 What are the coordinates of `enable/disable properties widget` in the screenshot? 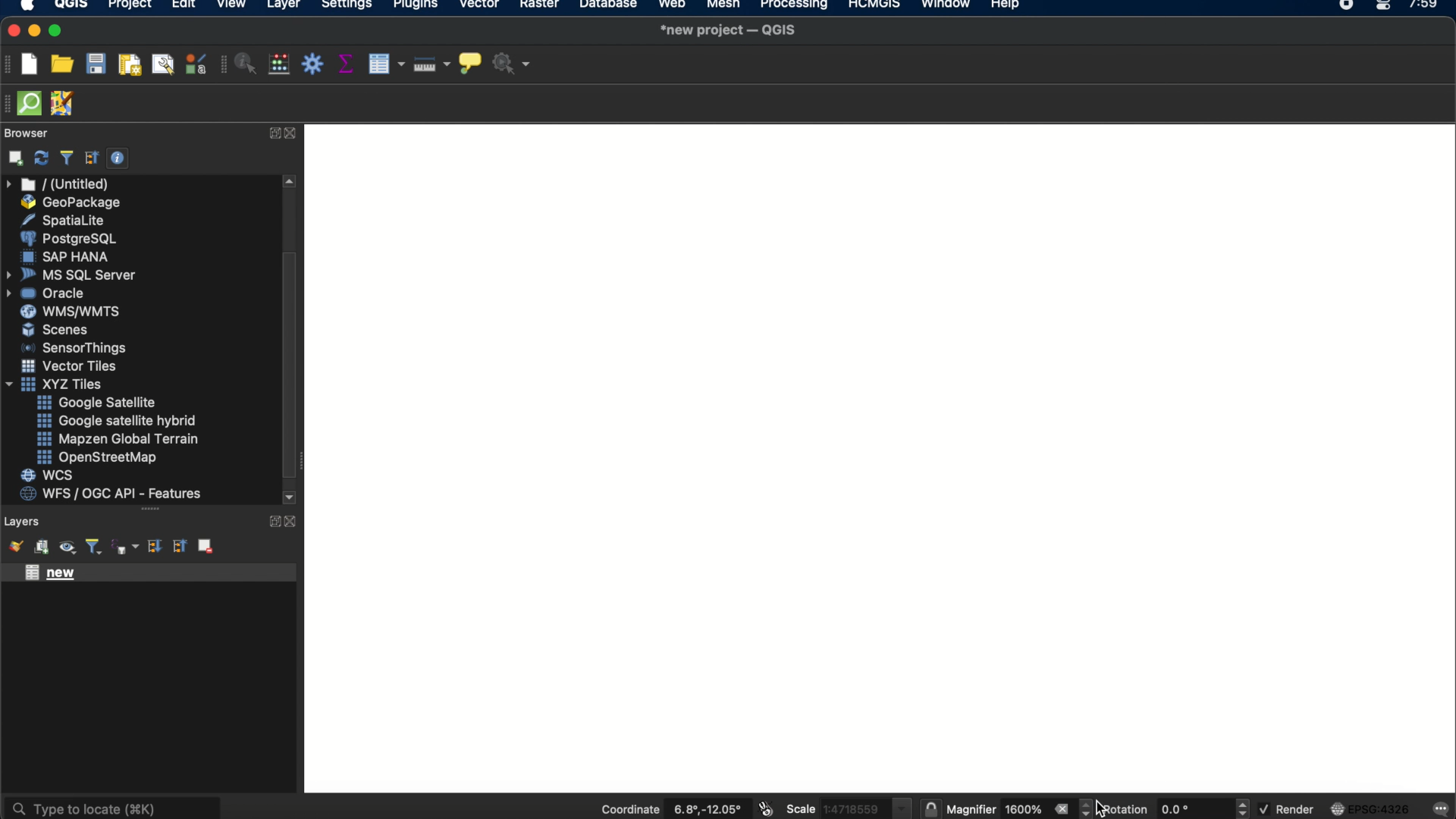 It's located at (118, 158).